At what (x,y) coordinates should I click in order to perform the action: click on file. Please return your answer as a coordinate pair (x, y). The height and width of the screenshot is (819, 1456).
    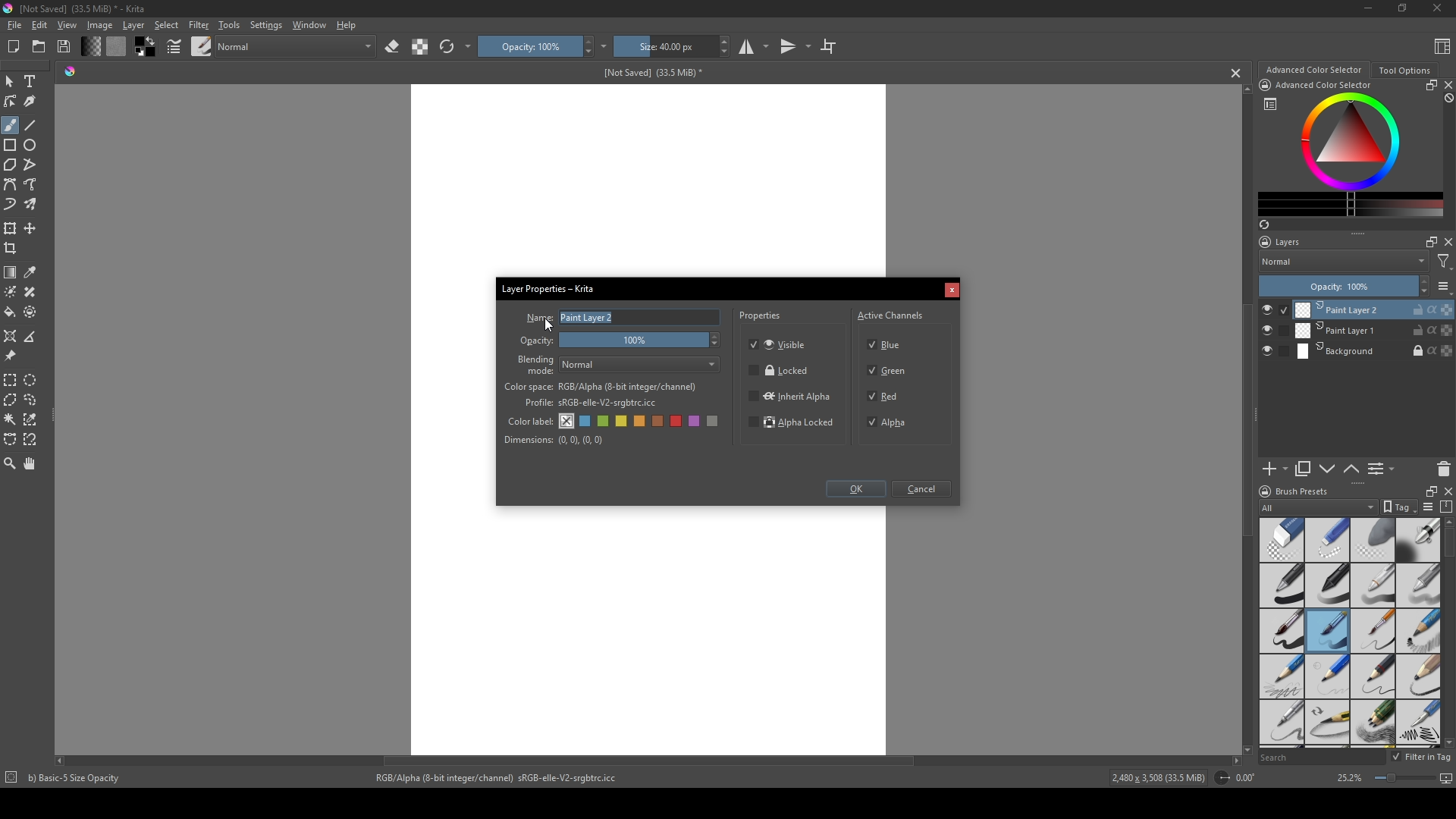
    Looking at the image, I should click on (14, 26).